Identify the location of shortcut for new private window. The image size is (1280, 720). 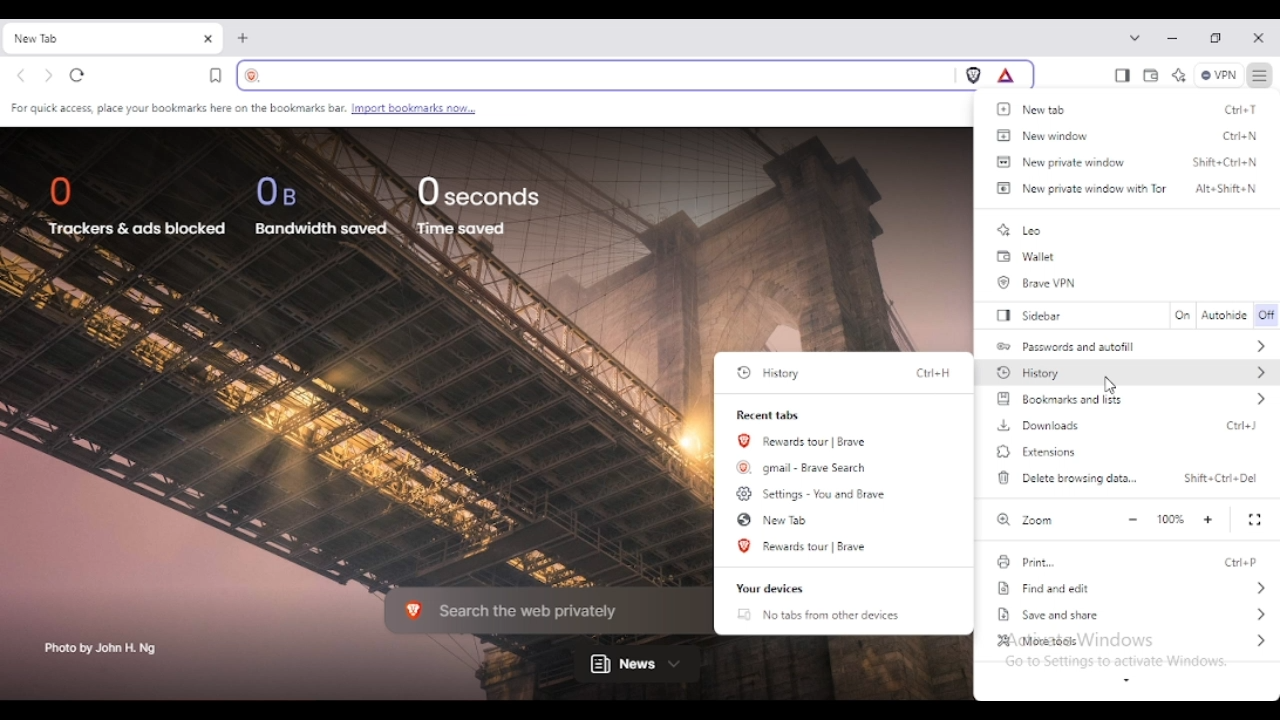
(1226, 161).